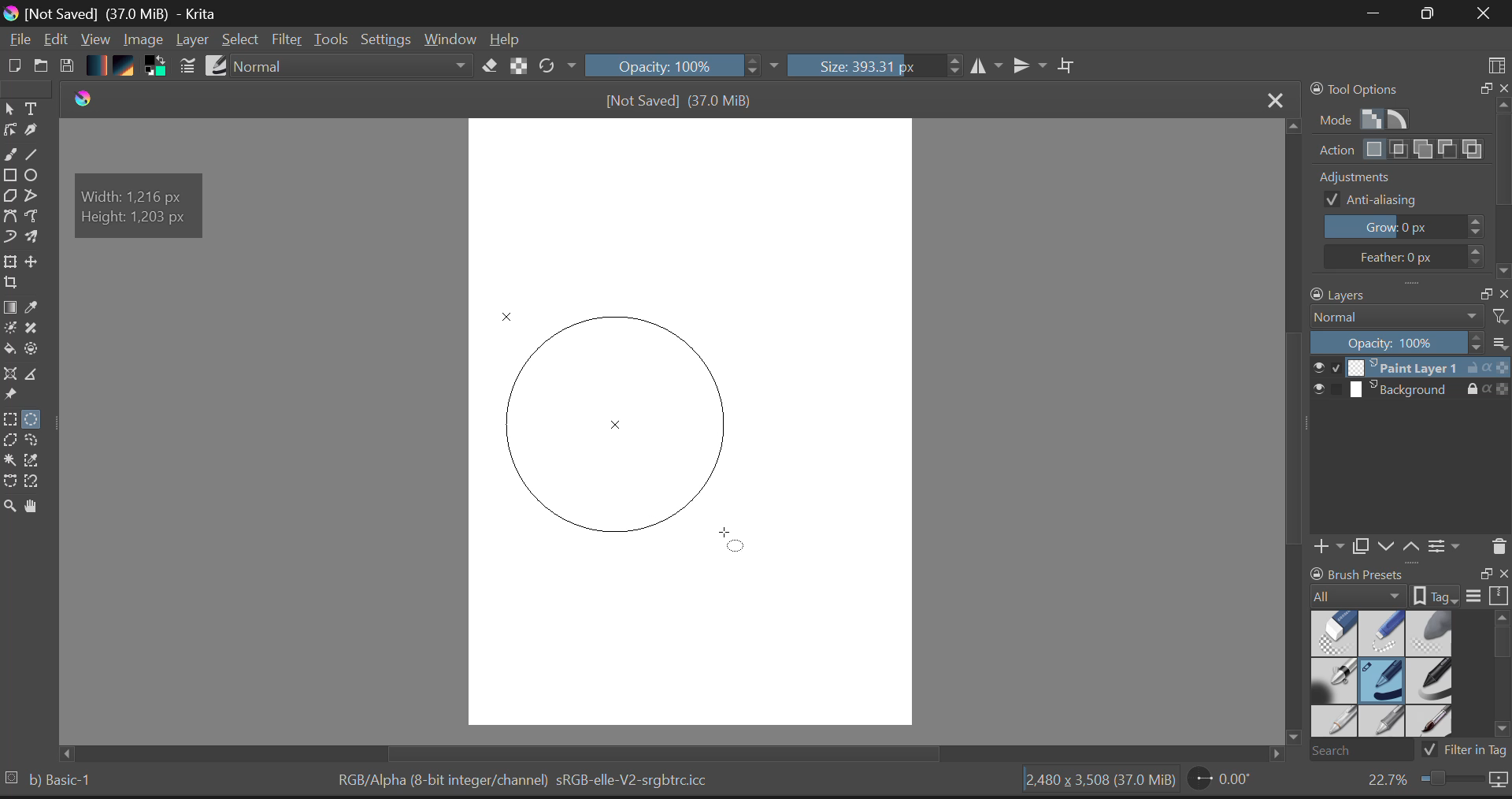  Describe the element at coordinates (9, 329) in the screenshot. I see `Colorize Mask Tool` at that location.